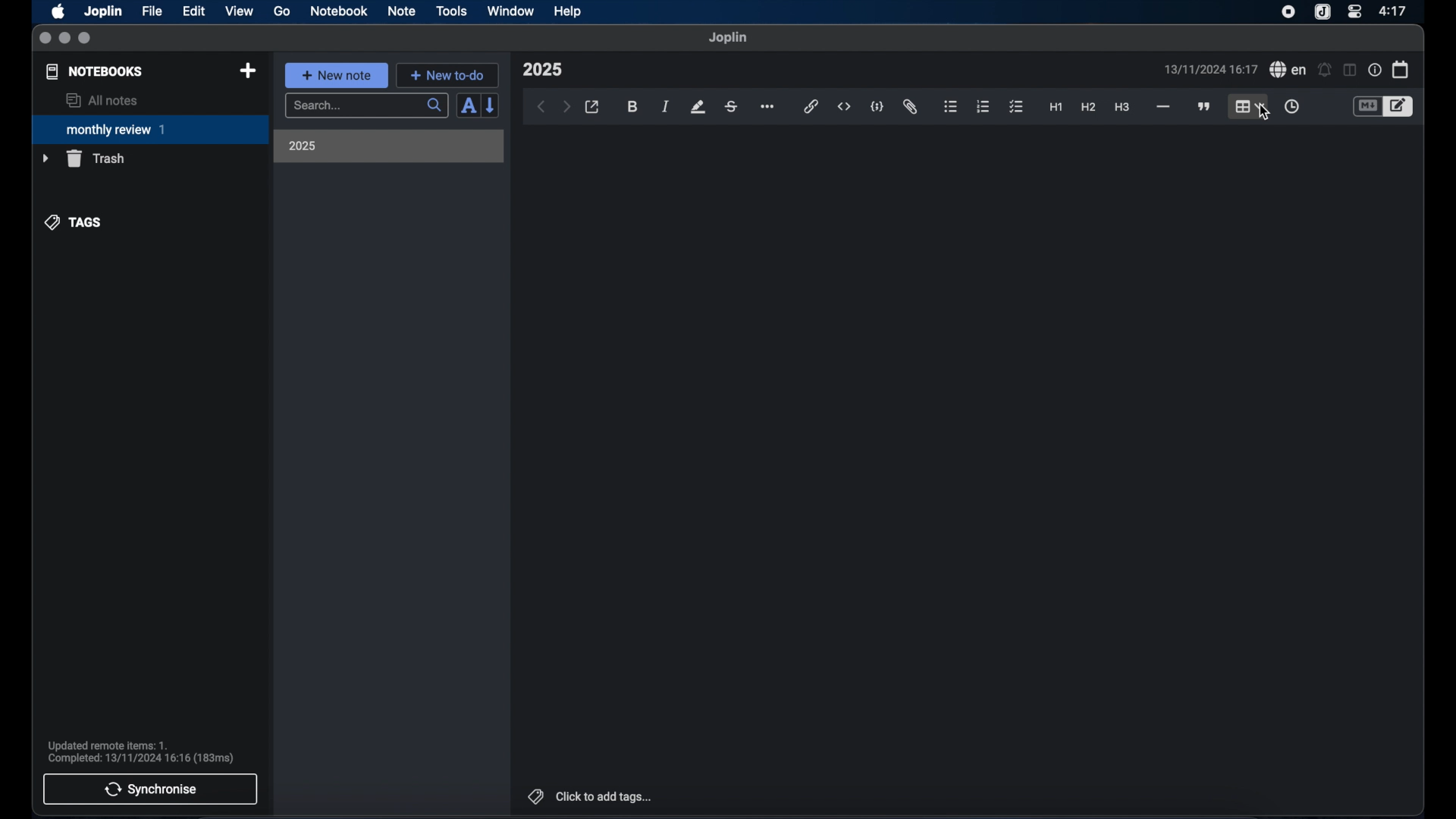 The height and width of the screenshot is (819, 1456). I want to click on attach file, so click(910, 107).